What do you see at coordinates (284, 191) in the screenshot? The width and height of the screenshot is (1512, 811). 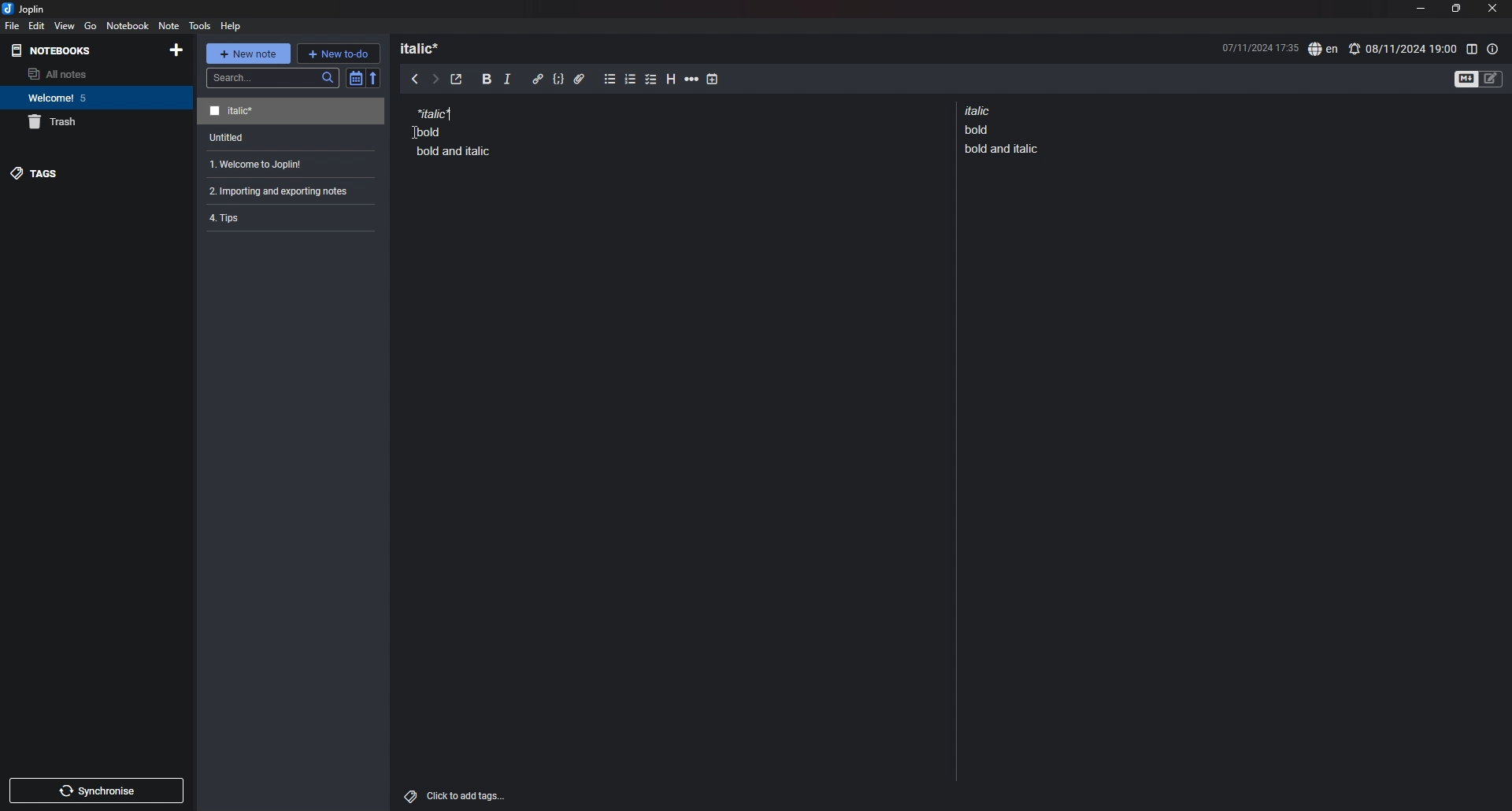 I see `note` at bounding box center [284, 191].